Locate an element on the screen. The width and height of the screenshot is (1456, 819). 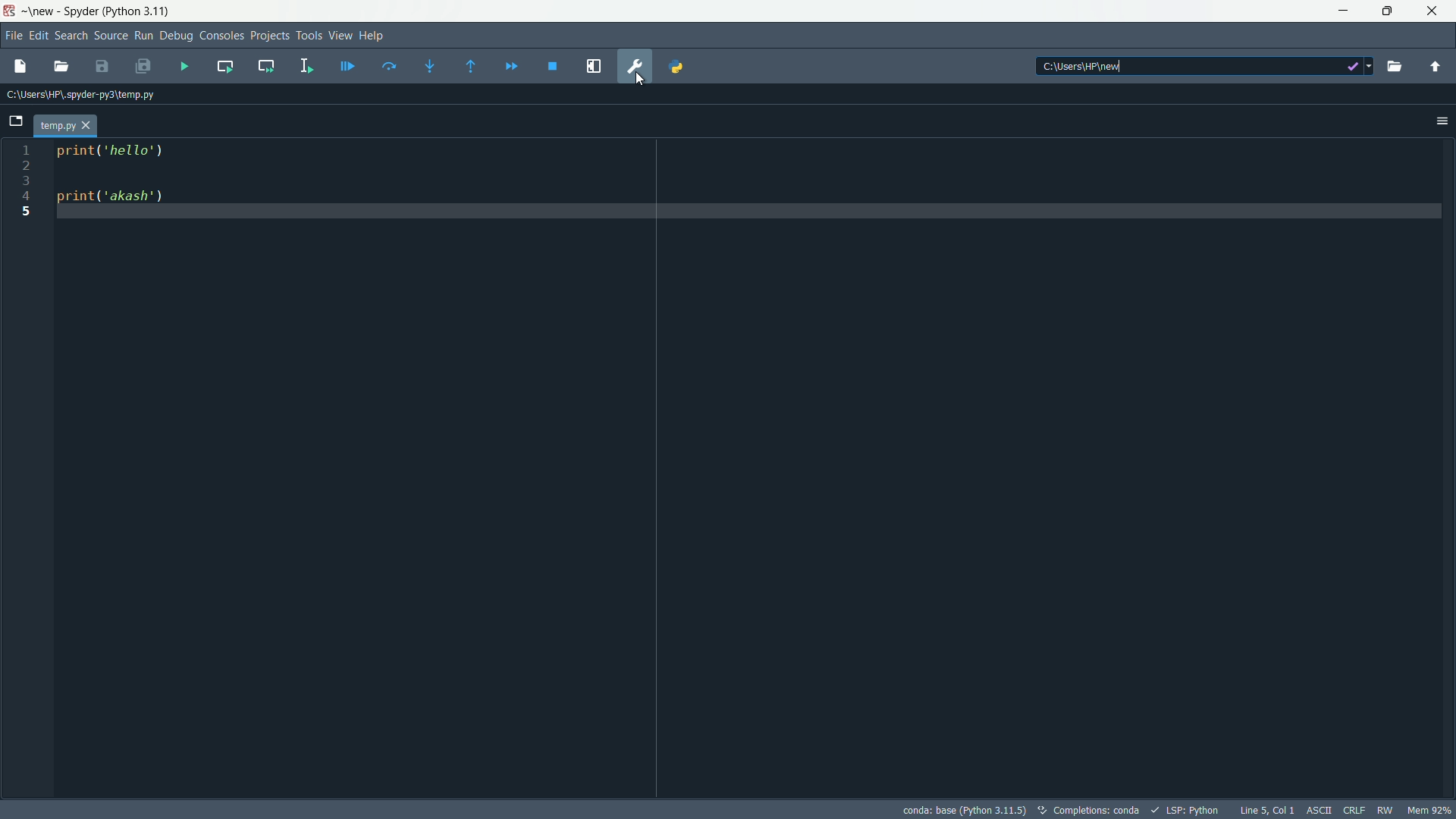
preferences is located at coordinates (634, 64).